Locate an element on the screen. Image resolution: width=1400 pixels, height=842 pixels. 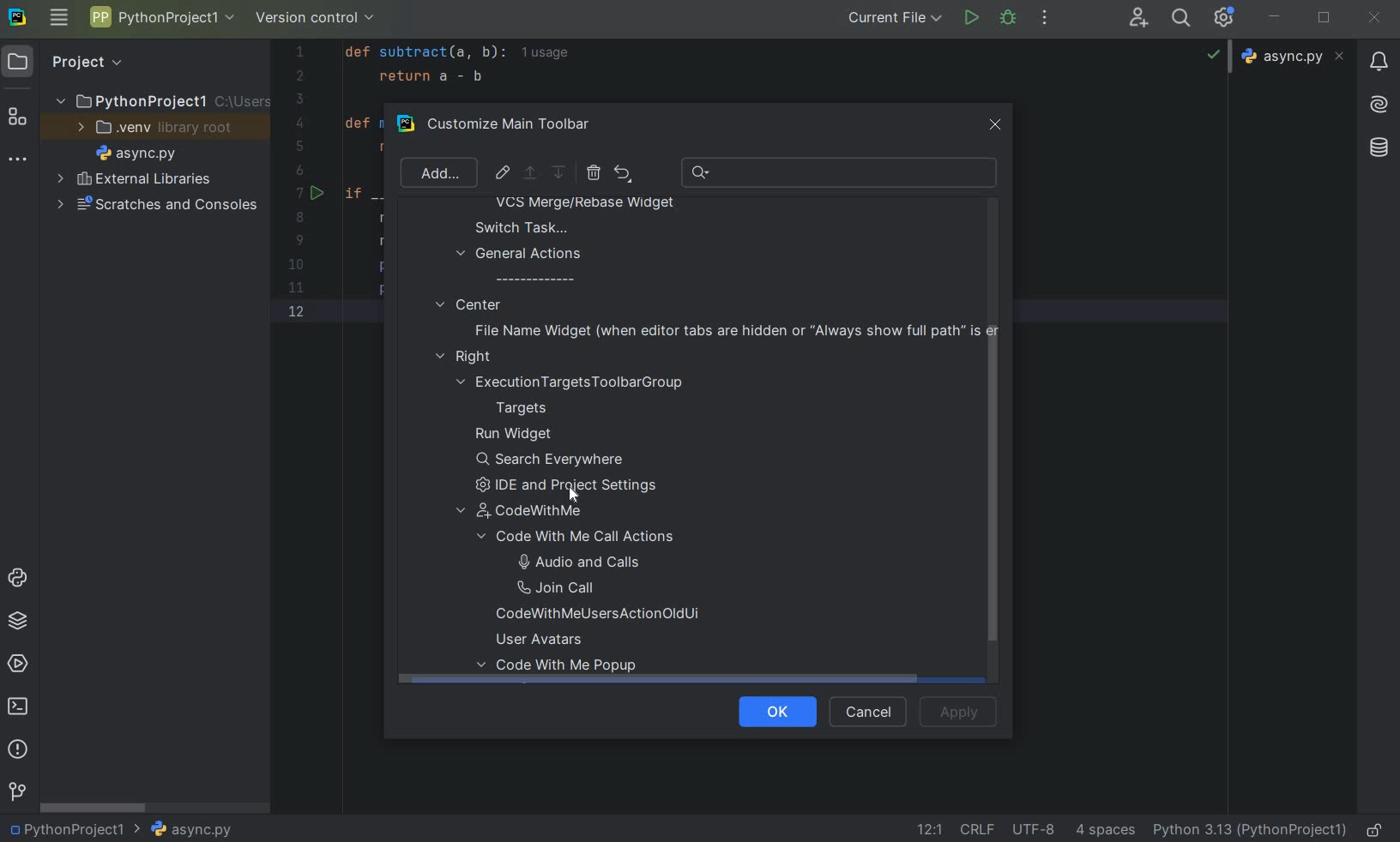
 is located at coordinates (1379, 102).